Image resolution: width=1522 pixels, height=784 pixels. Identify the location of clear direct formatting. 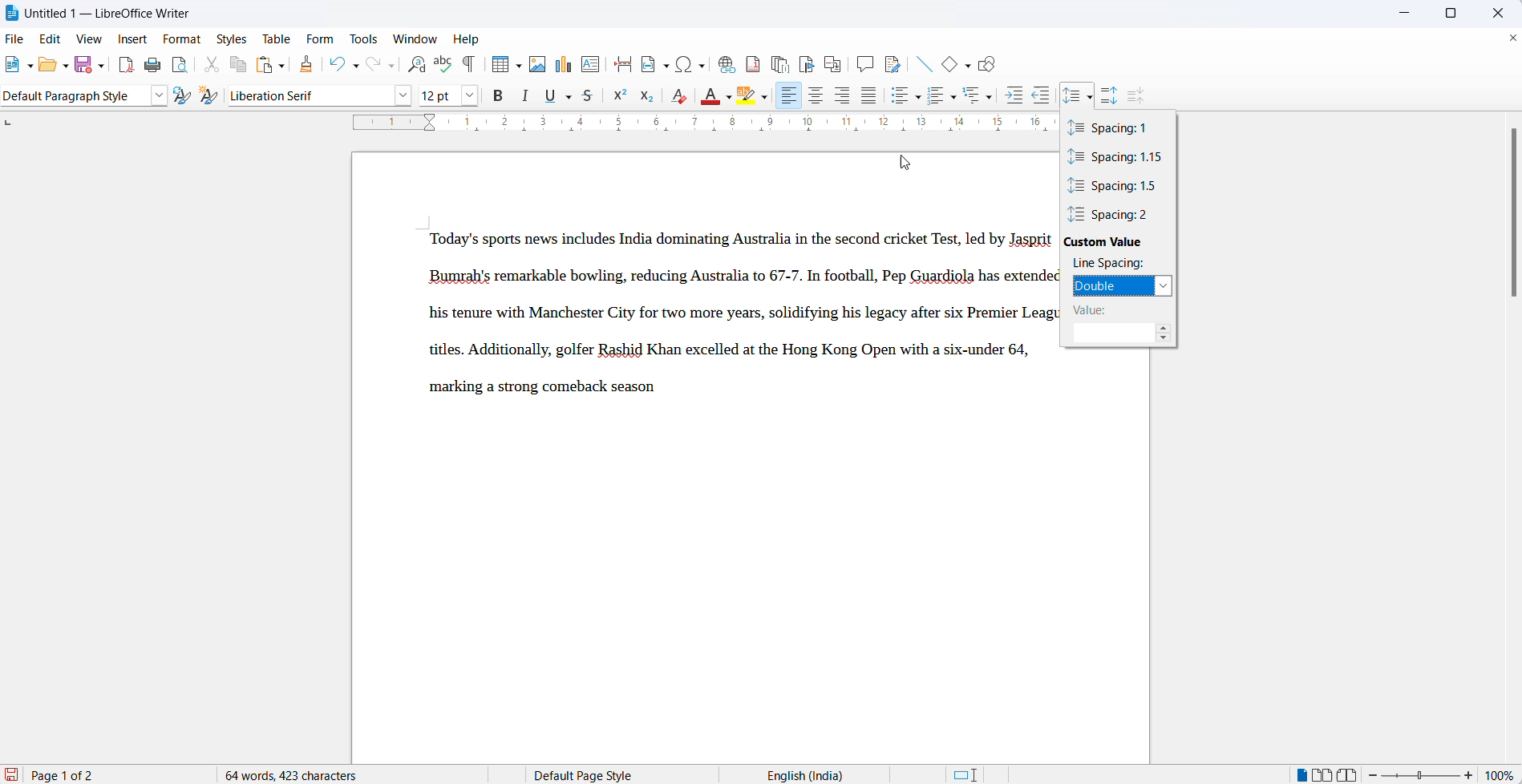
(678, 95).